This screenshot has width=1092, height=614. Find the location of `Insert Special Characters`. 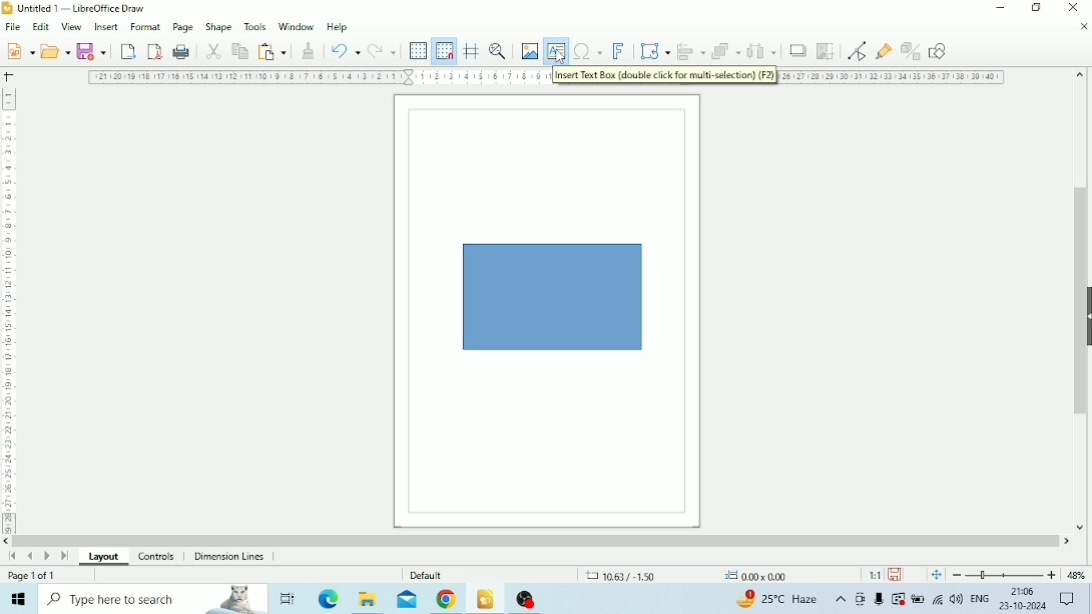

Insert Special Characters is located at coordinates (588, 51).